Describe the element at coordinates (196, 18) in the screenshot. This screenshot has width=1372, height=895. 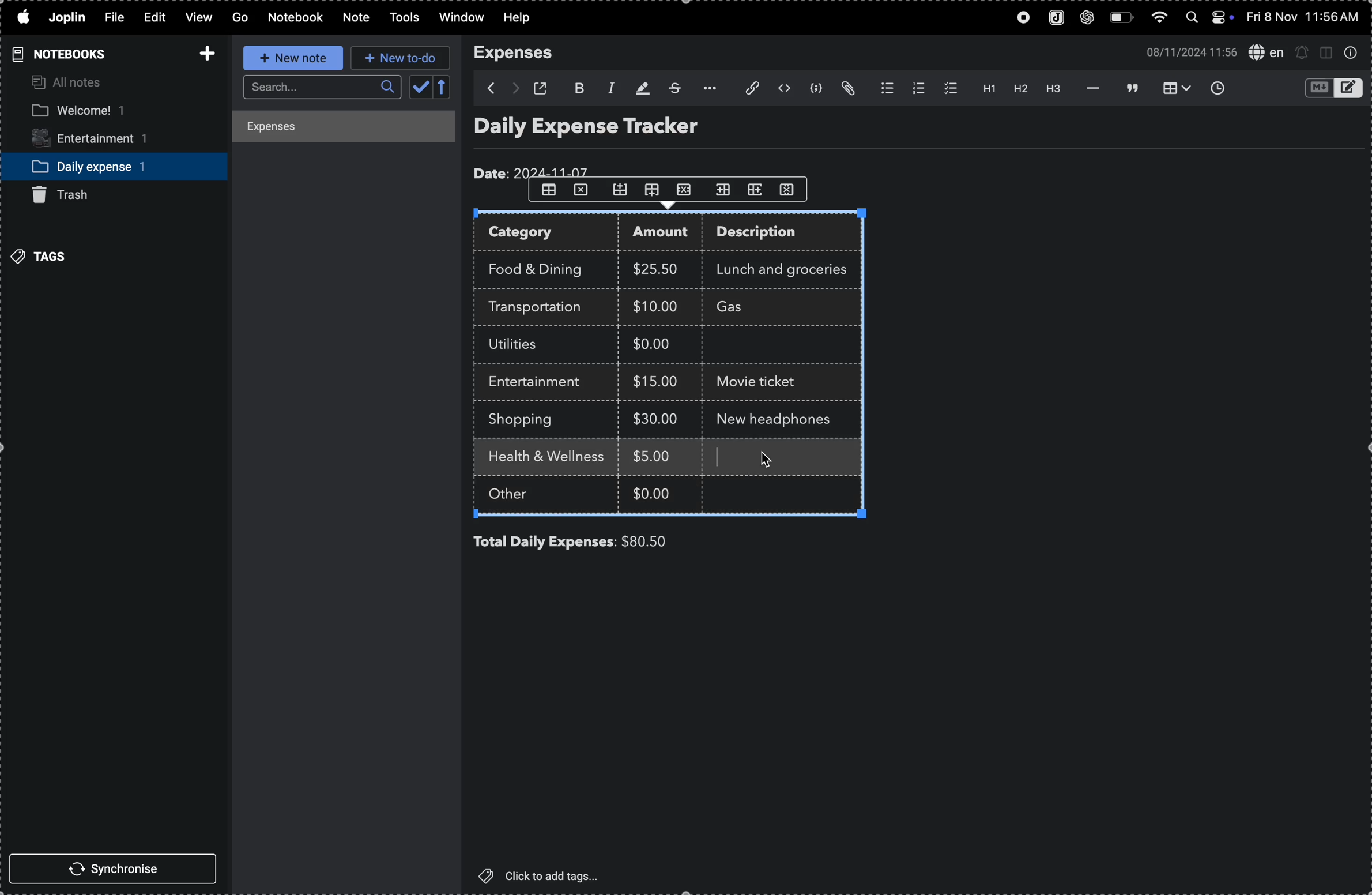
I see `view` at that location.